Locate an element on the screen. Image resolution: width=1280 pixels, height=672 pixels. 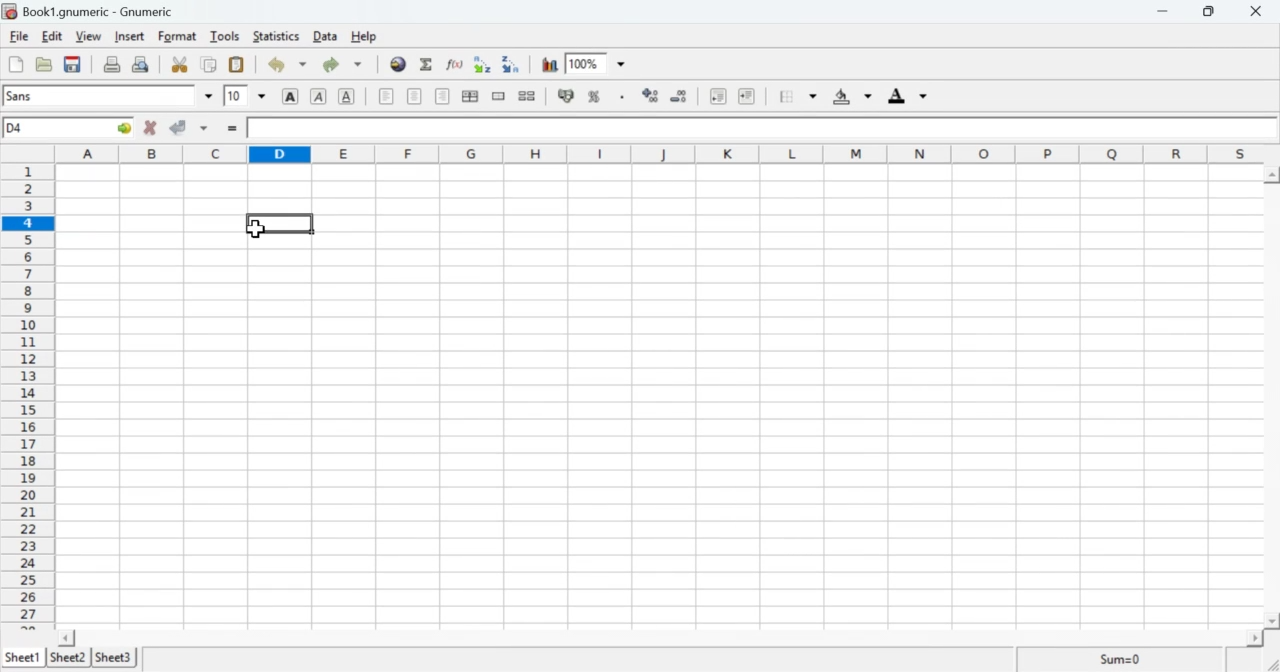
Sheet 3 is located at coordinates (115, 657).